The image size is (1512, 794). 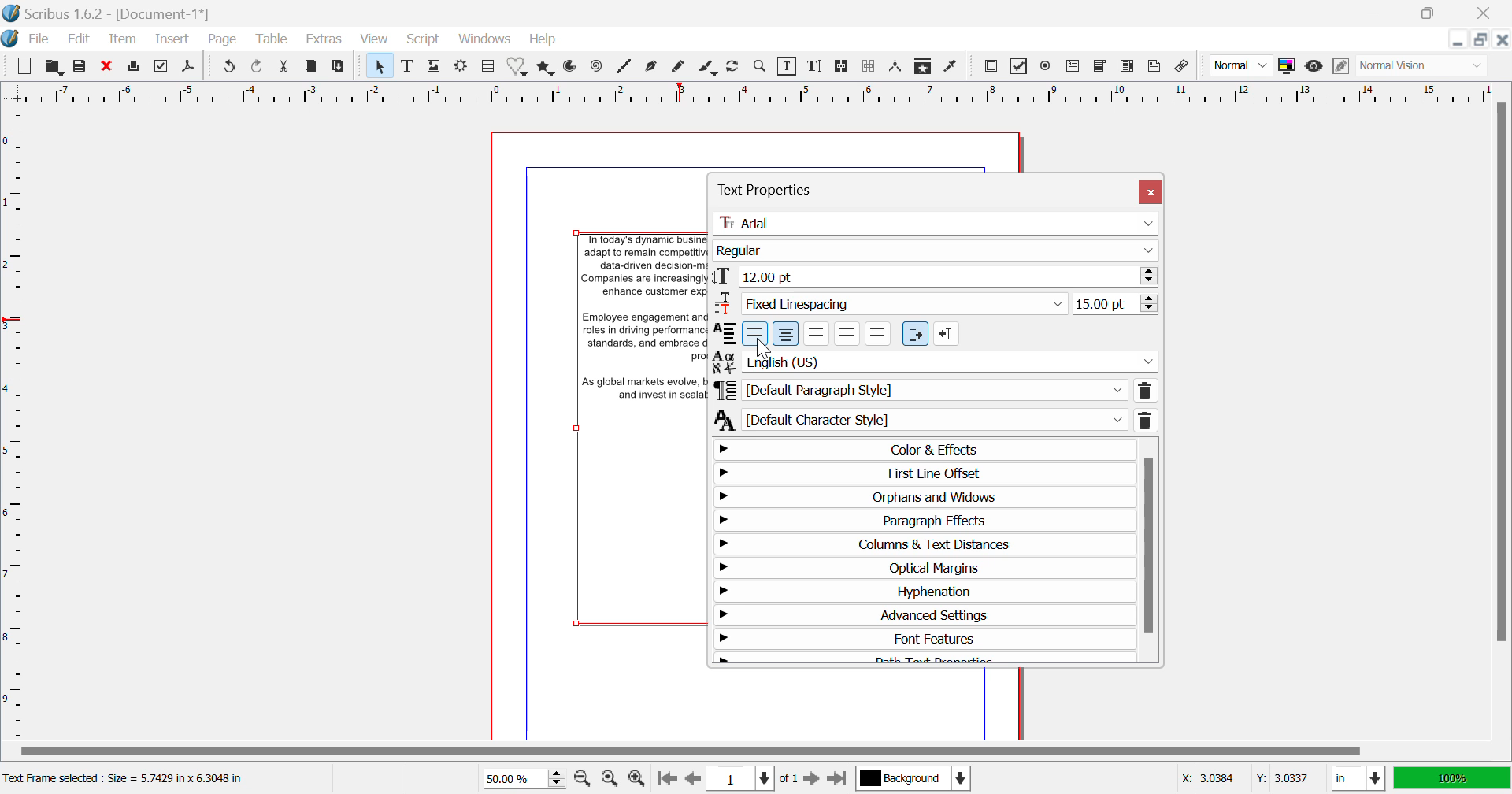 What do you see at coordinates (572, 67) in the screenshot?
I see `Arcs` at bounding box center [572, 67].